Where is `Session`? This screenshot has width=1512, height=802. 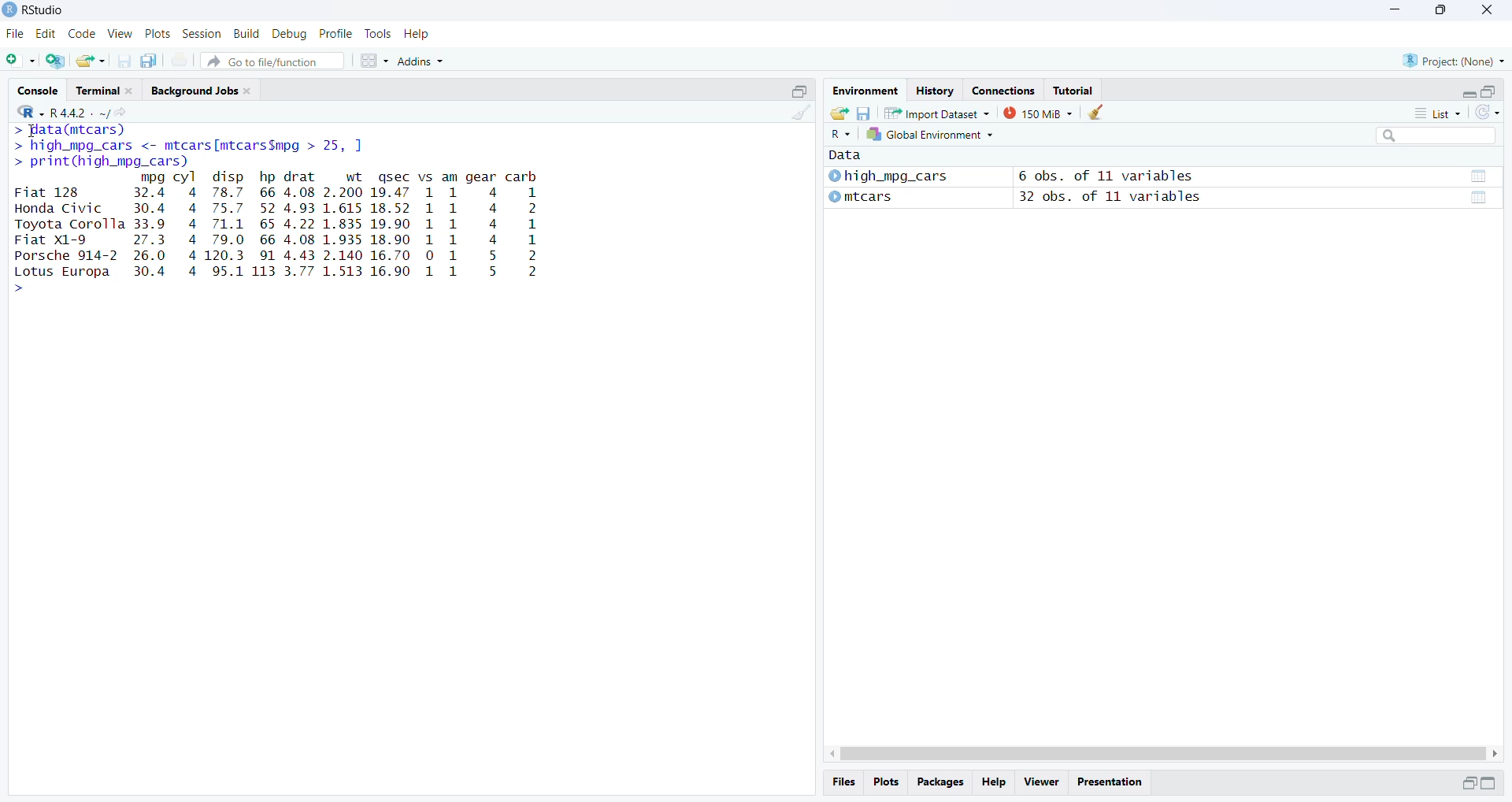 Session is located at coordinates (202, 33).